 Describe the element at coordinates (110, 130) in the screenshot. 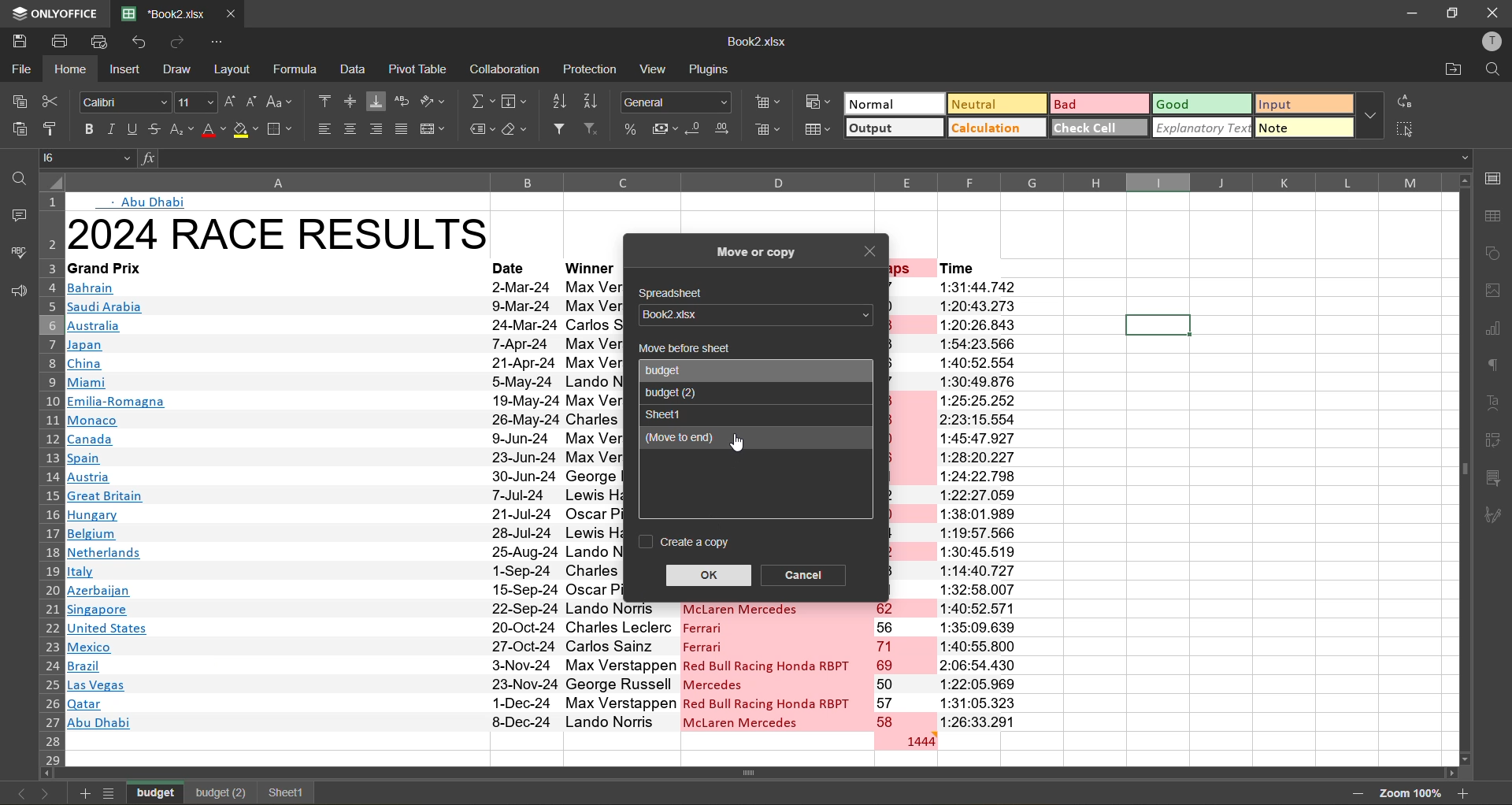

I see `italic` at that location.